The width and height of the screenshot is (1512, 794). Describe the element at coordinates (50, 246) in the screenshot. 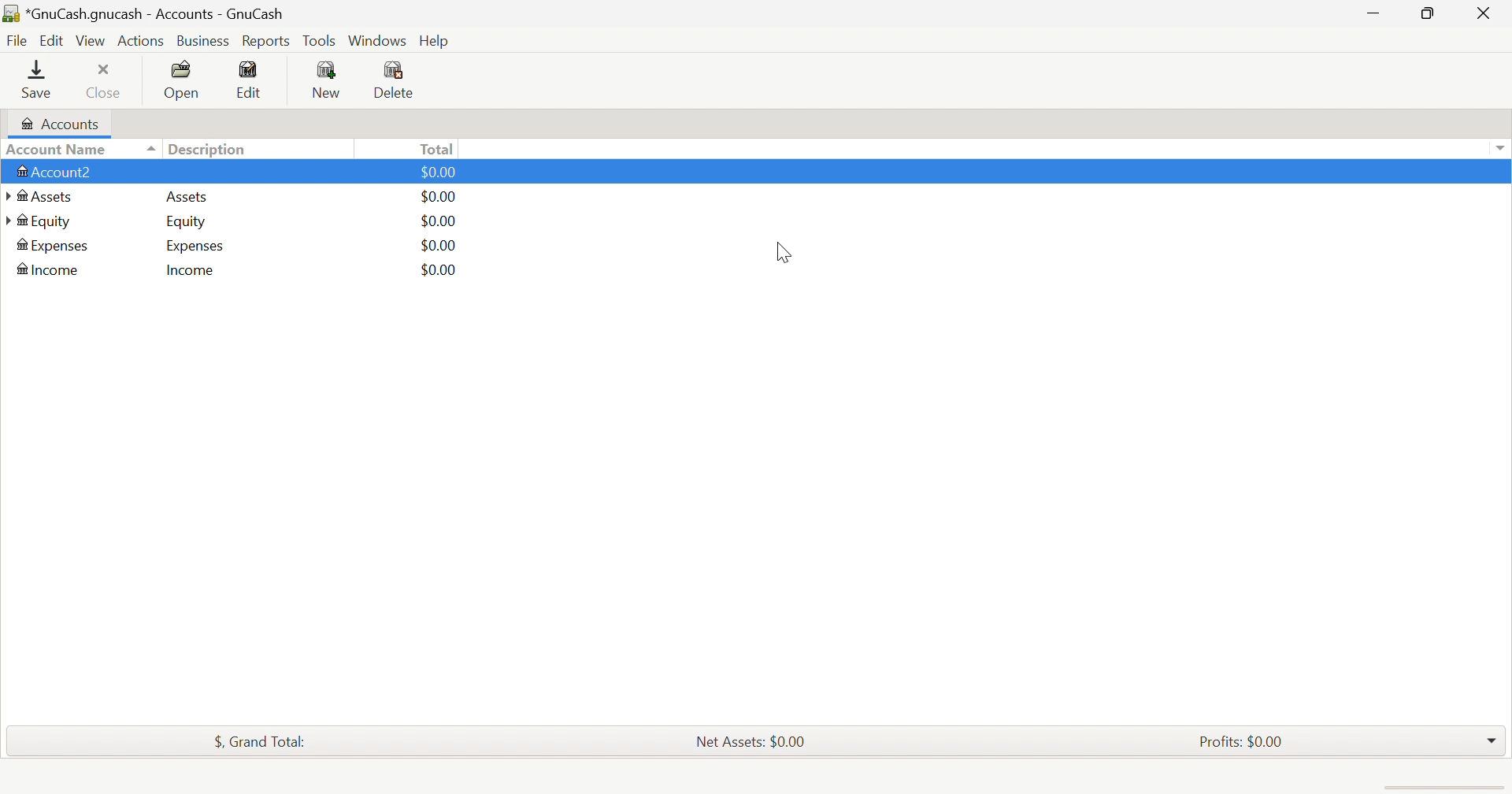

I see `Expenses` at that location.